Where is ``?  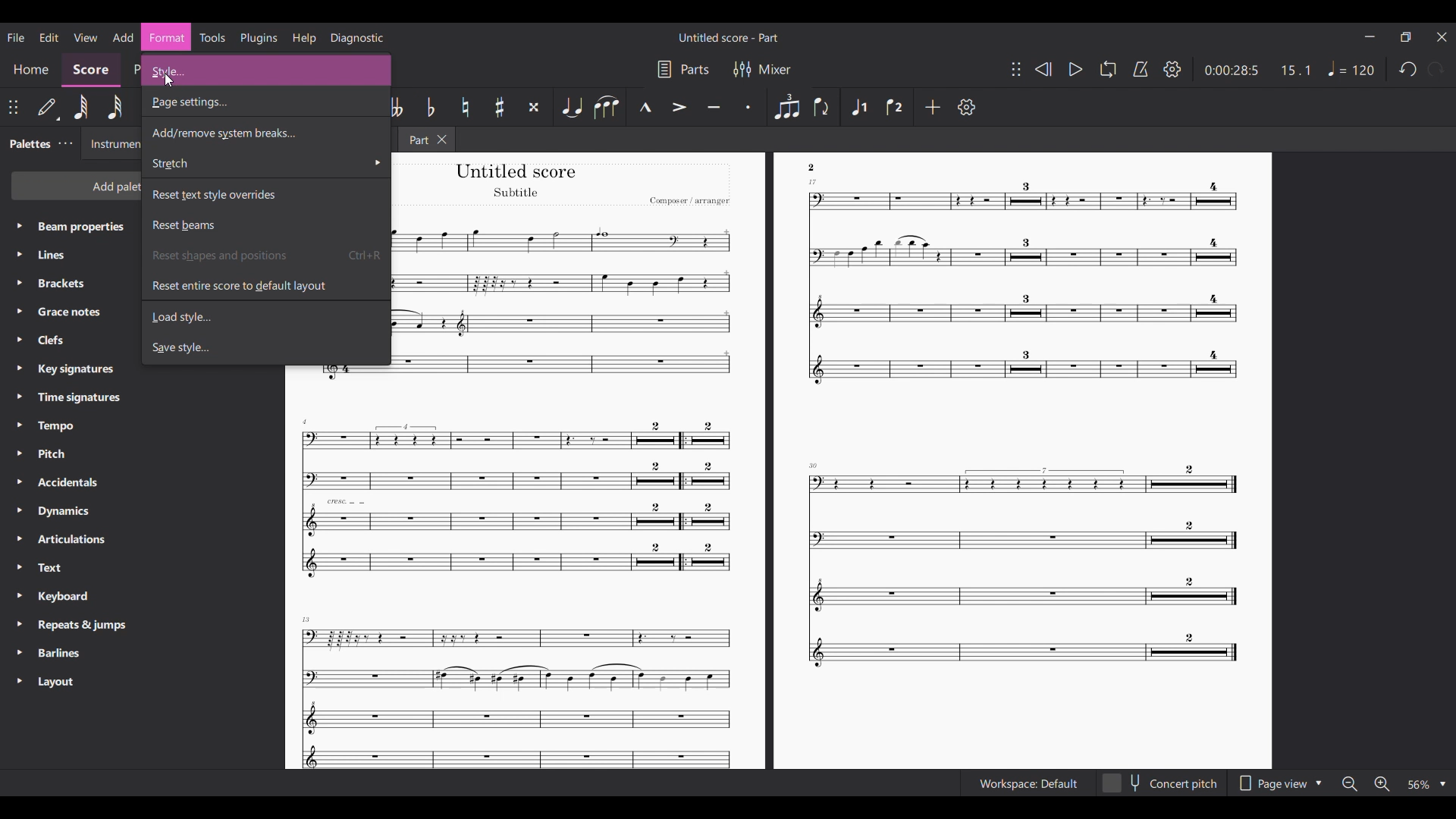  is located at coordinates (1021, 570).